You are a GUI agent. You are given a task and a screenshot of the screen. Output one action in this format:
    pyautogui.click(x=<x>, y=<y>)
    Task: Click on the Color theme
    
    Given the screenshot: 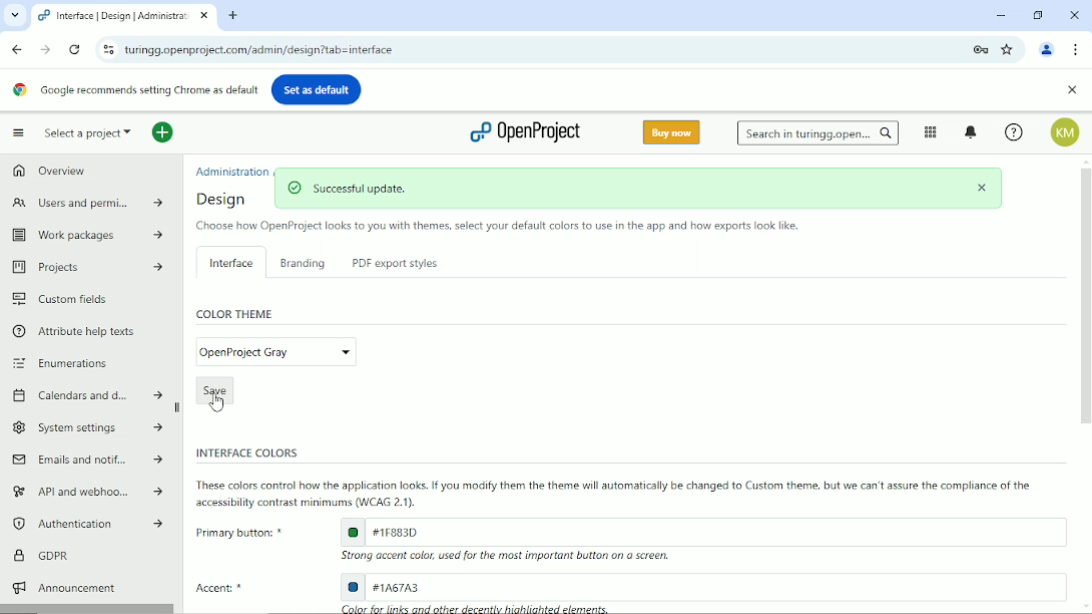 What is the action you would take?
    pyautogui.click(x=236, y=314)
    